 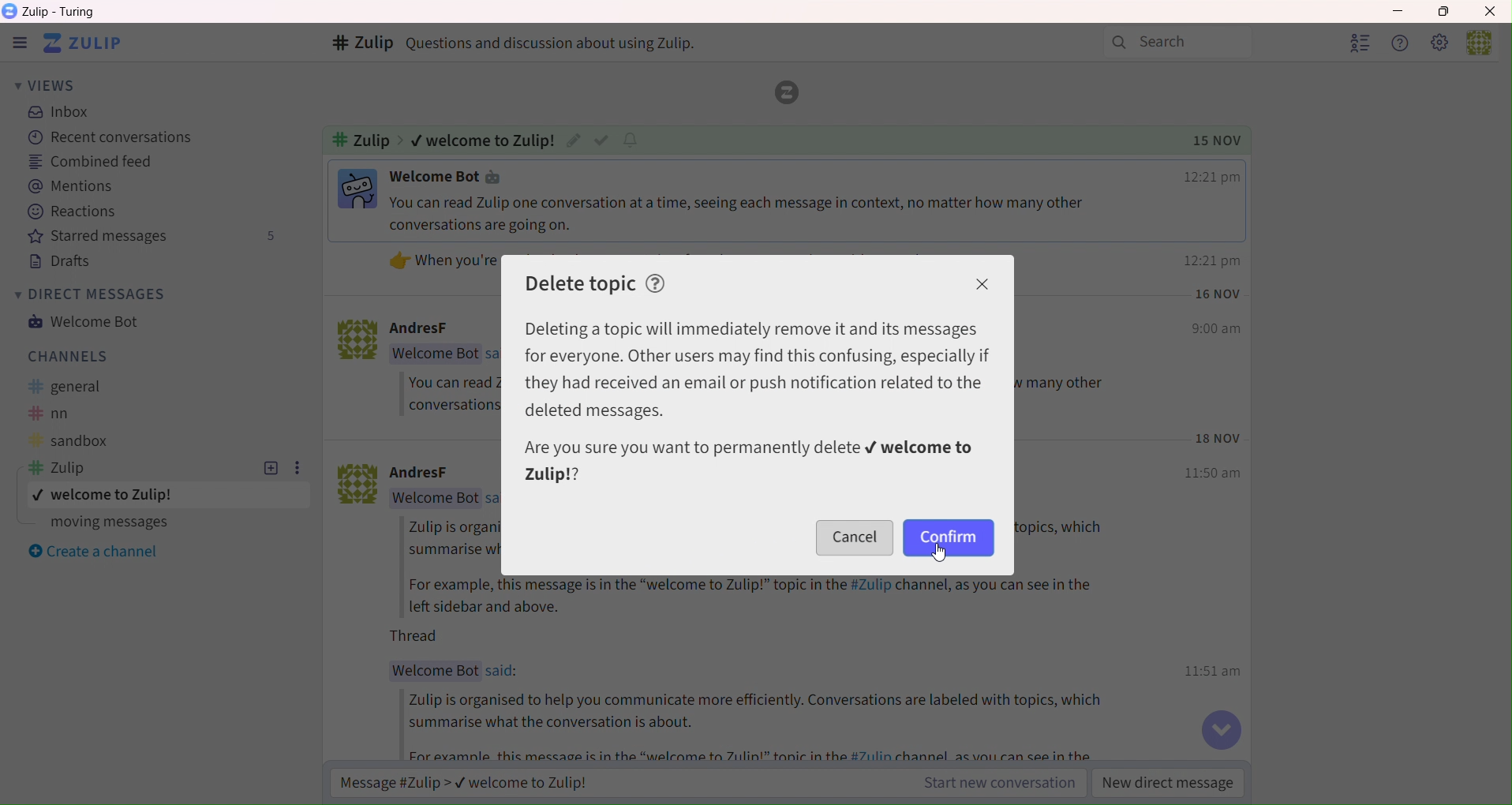 What do you see at coordinates (1216, 330) in the screenshot?
I see `Time` at bounding box center [1216, 330].